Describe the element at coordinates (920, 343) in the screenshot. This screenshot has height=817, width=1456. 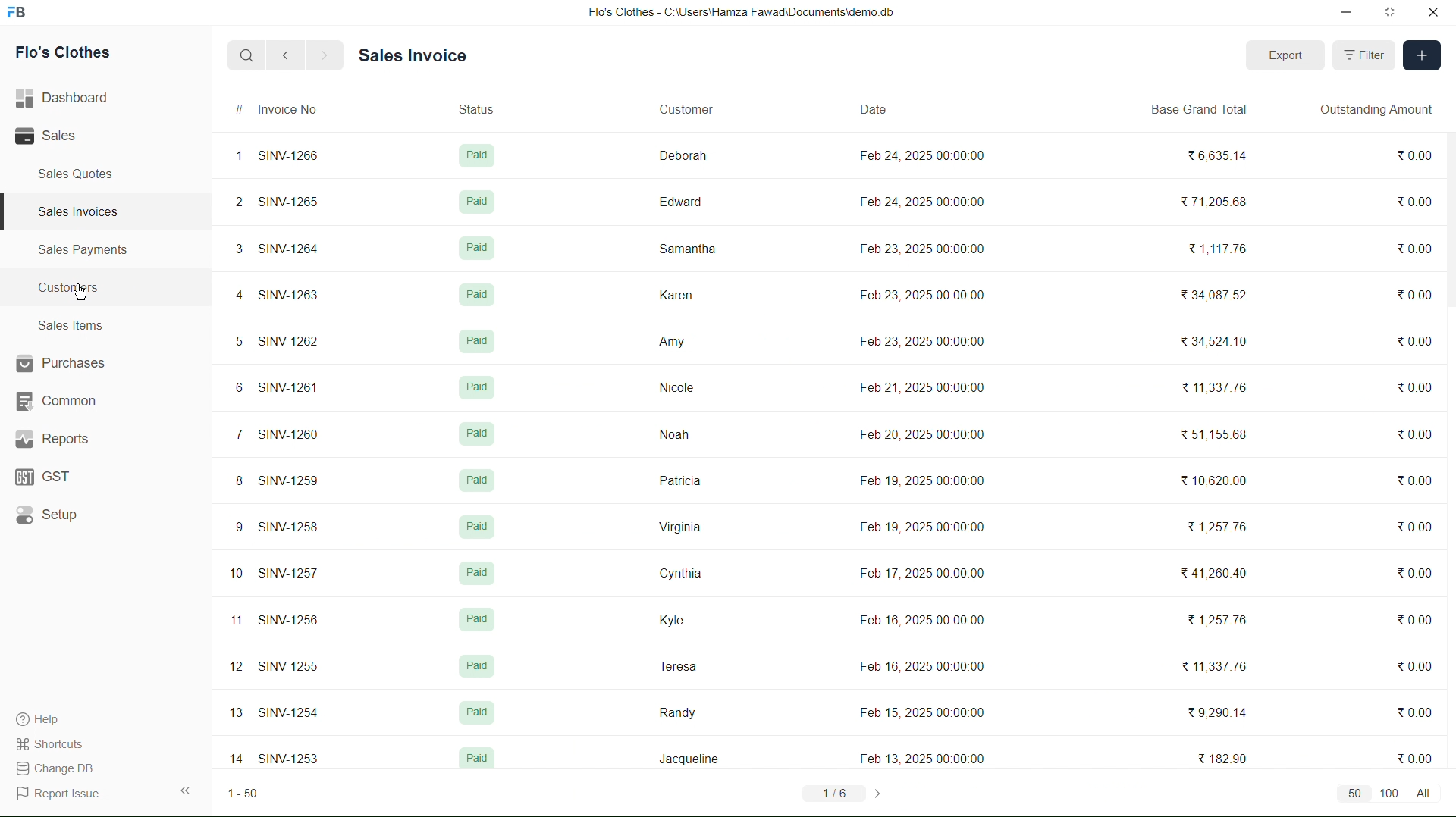
I see `Feb 23, 2025 00:00:00` at that location.